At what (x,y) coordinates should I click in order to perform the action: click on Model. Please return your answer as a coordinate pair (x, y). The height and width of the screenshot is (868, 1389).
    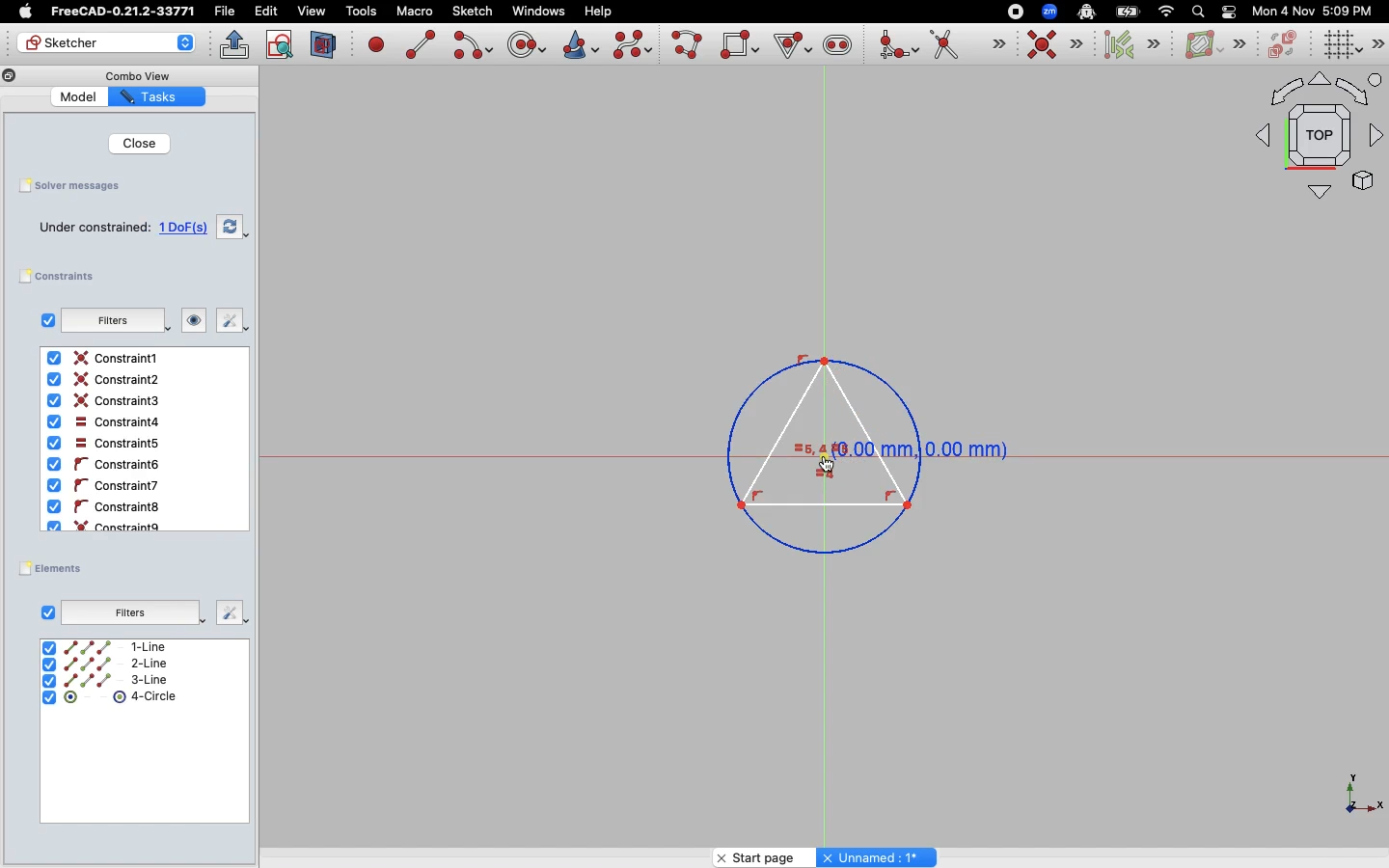
    Looking at the image, I should click on (81, 98).